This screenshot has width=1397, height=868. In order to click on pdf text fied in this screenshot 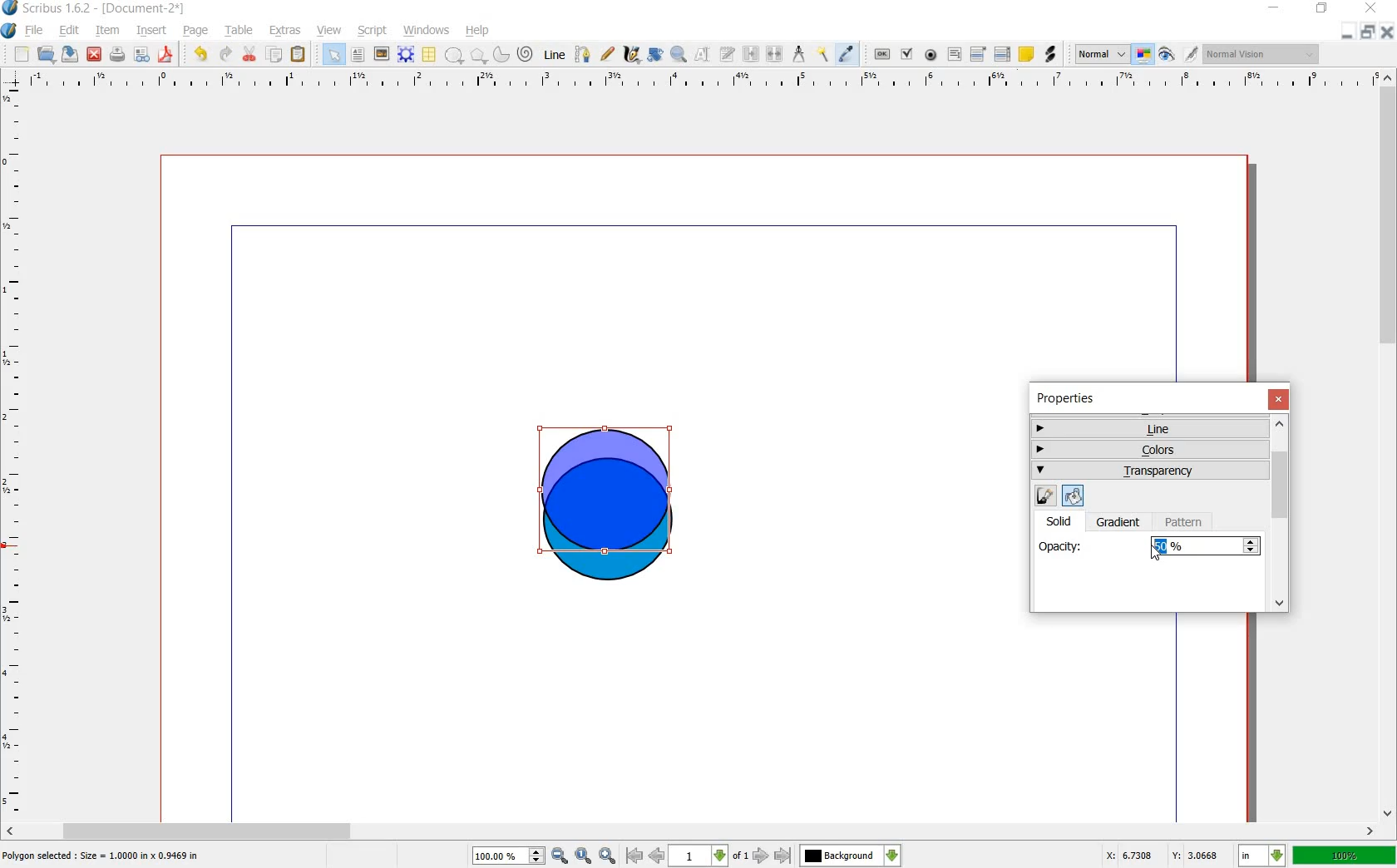, I will do `click(955, 53)`.